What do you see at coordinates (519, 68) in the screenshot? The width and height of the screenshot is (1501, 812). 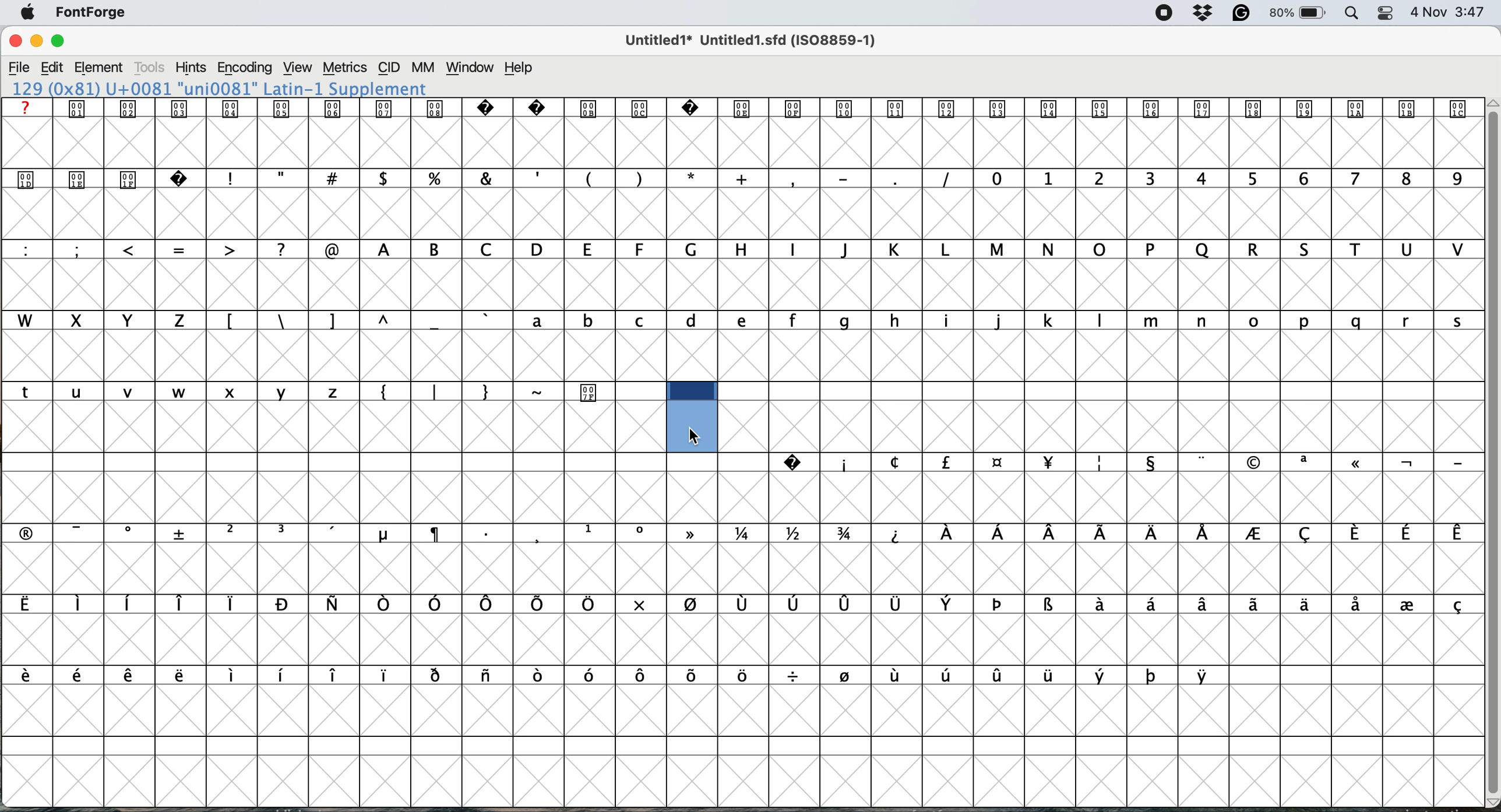 I see `Help` at bounding box center [519, 68].